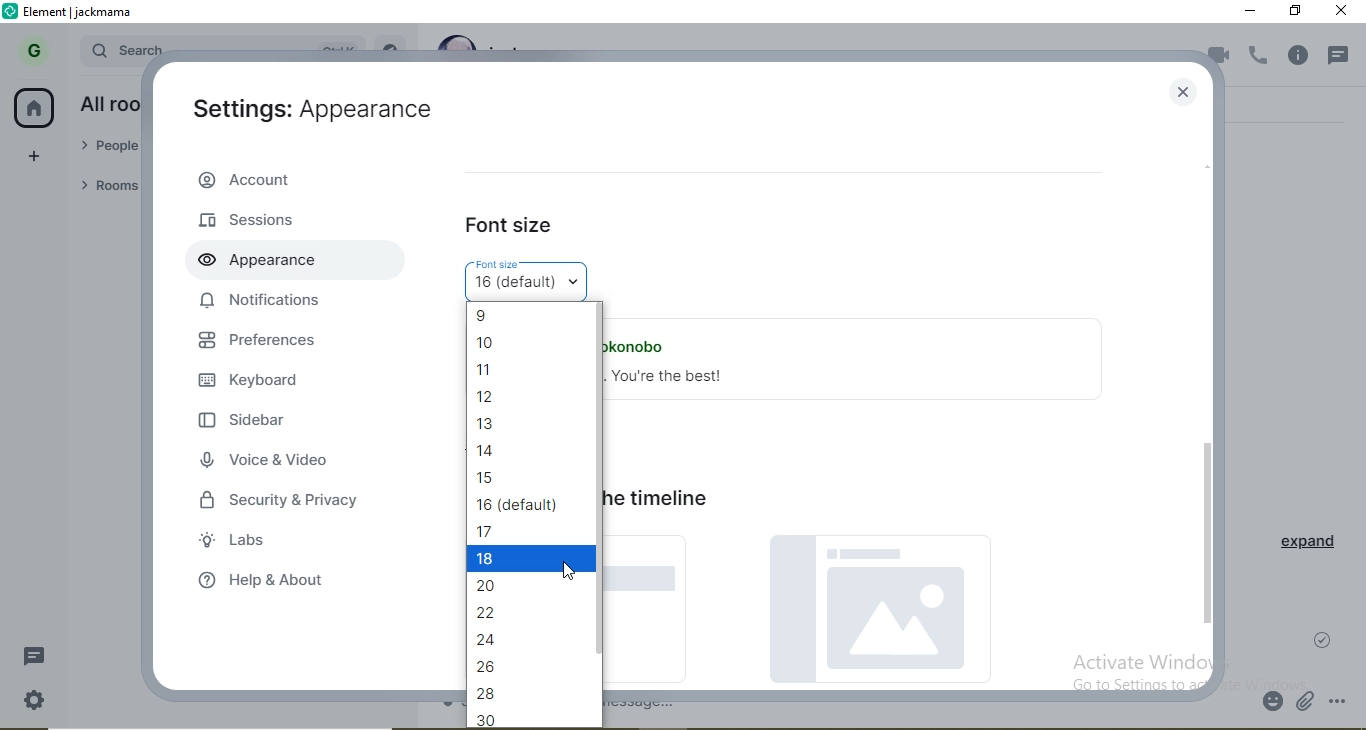 The width and height of the screenshot is (1366, 730). I want to click on notification, so click(1342, 51).